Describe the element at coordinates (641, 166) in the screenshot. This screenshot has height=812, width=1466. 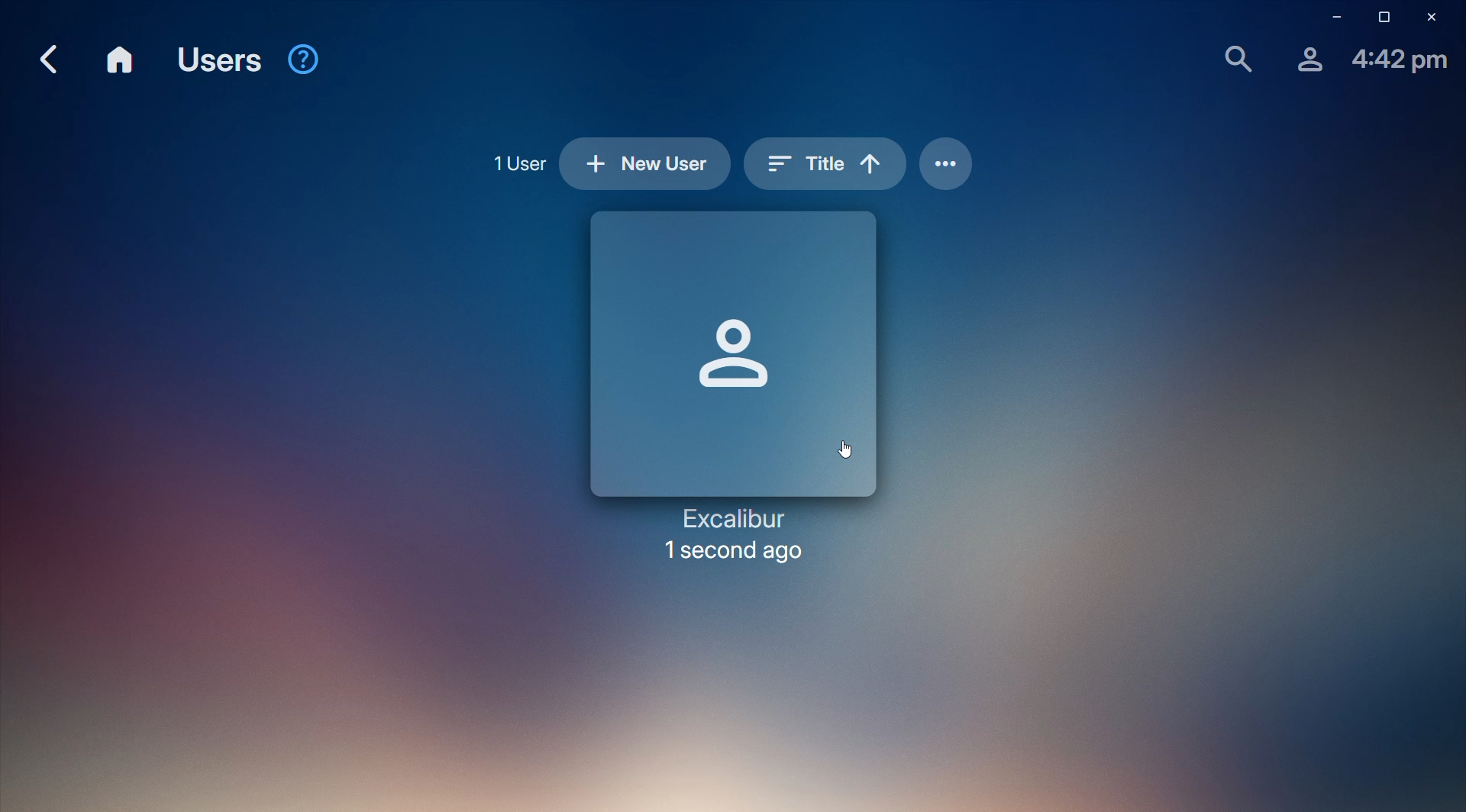
I see `New User` at that location.